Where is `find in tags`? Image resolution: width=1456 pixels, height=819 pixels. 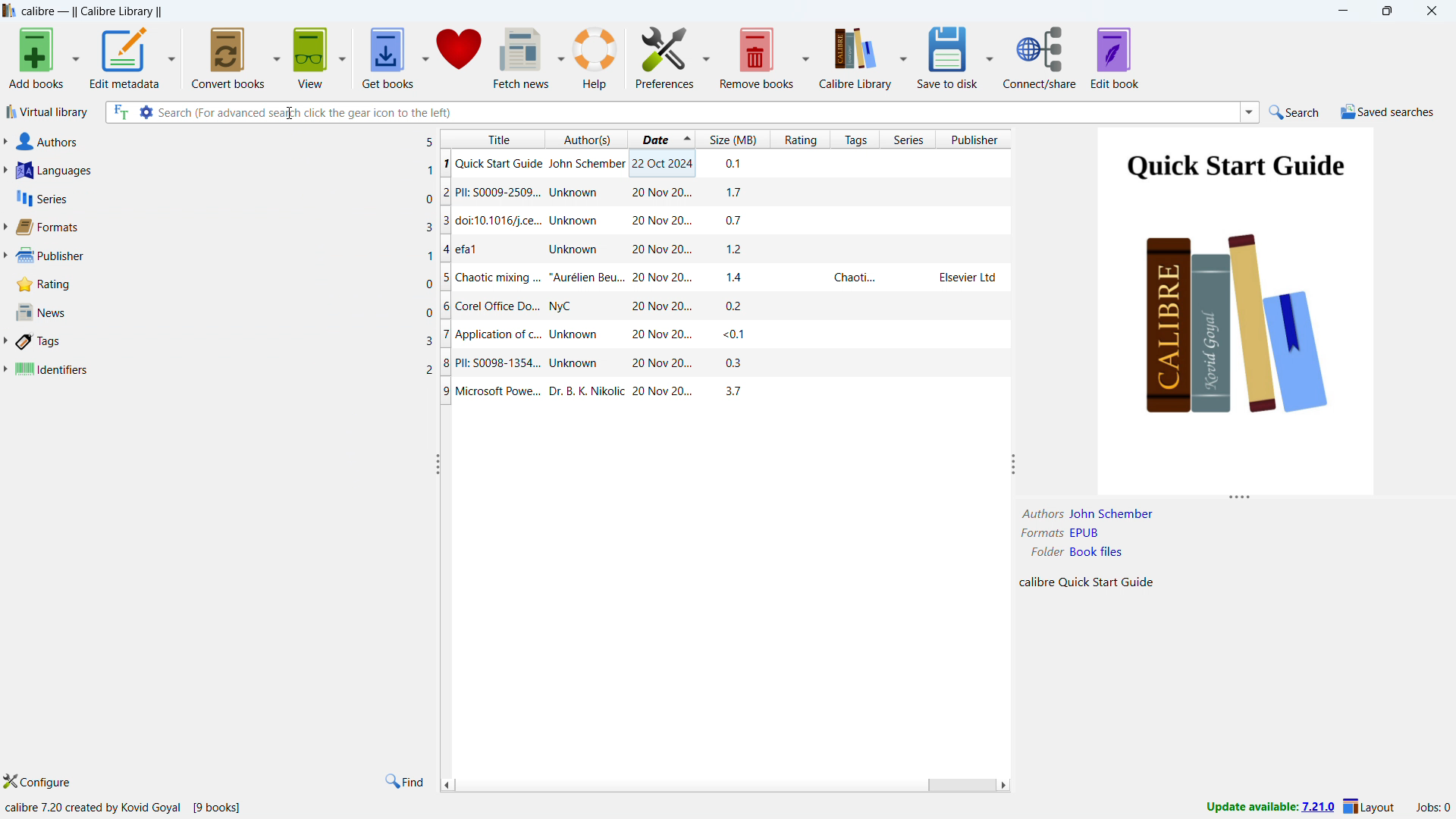
find in tags is located at coordinates (406, 782).